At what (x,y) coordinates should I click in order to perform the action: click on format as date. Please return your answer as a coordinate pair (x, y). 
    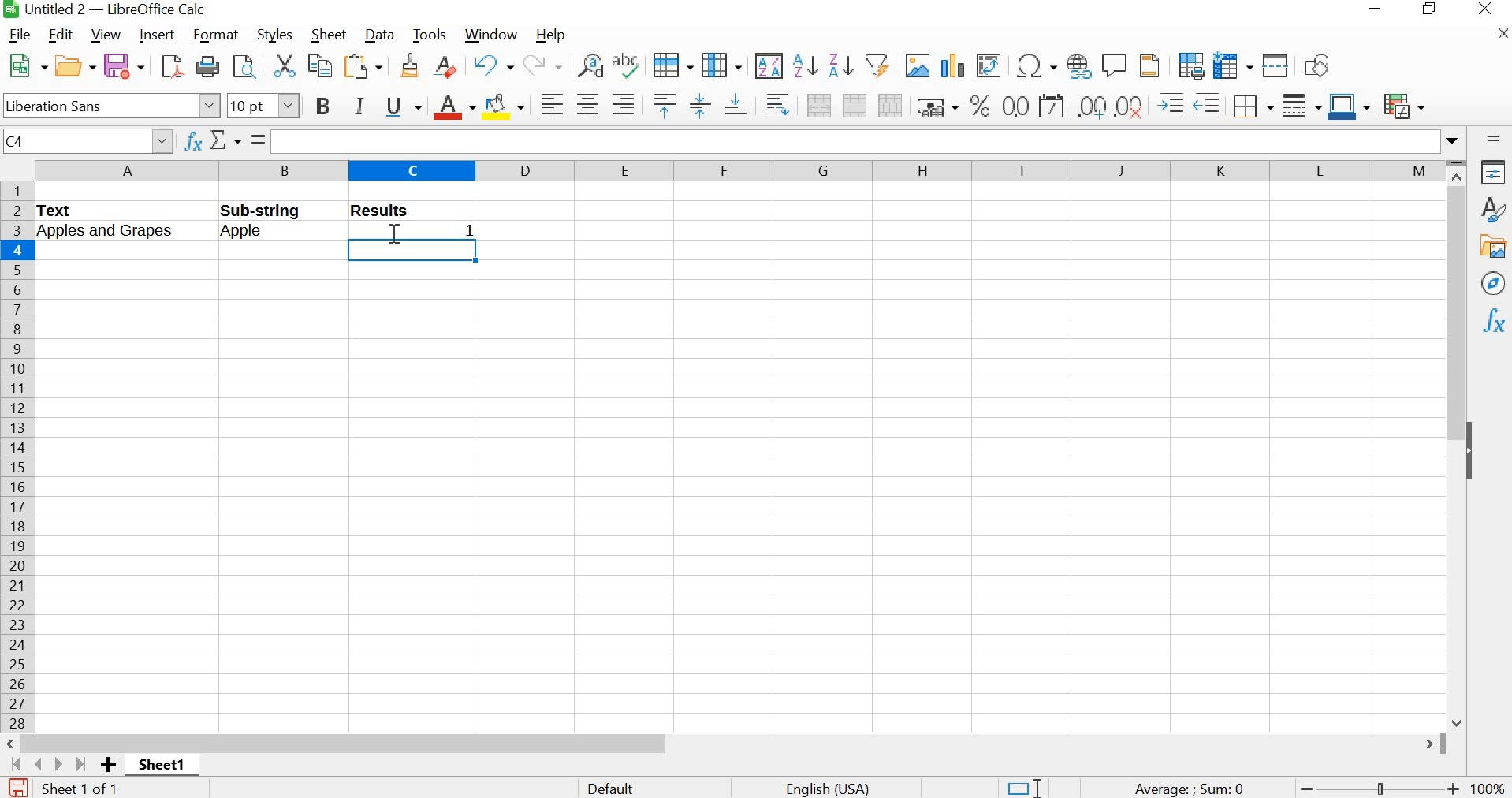
    Looking at the image, I should click on (1052, 106).